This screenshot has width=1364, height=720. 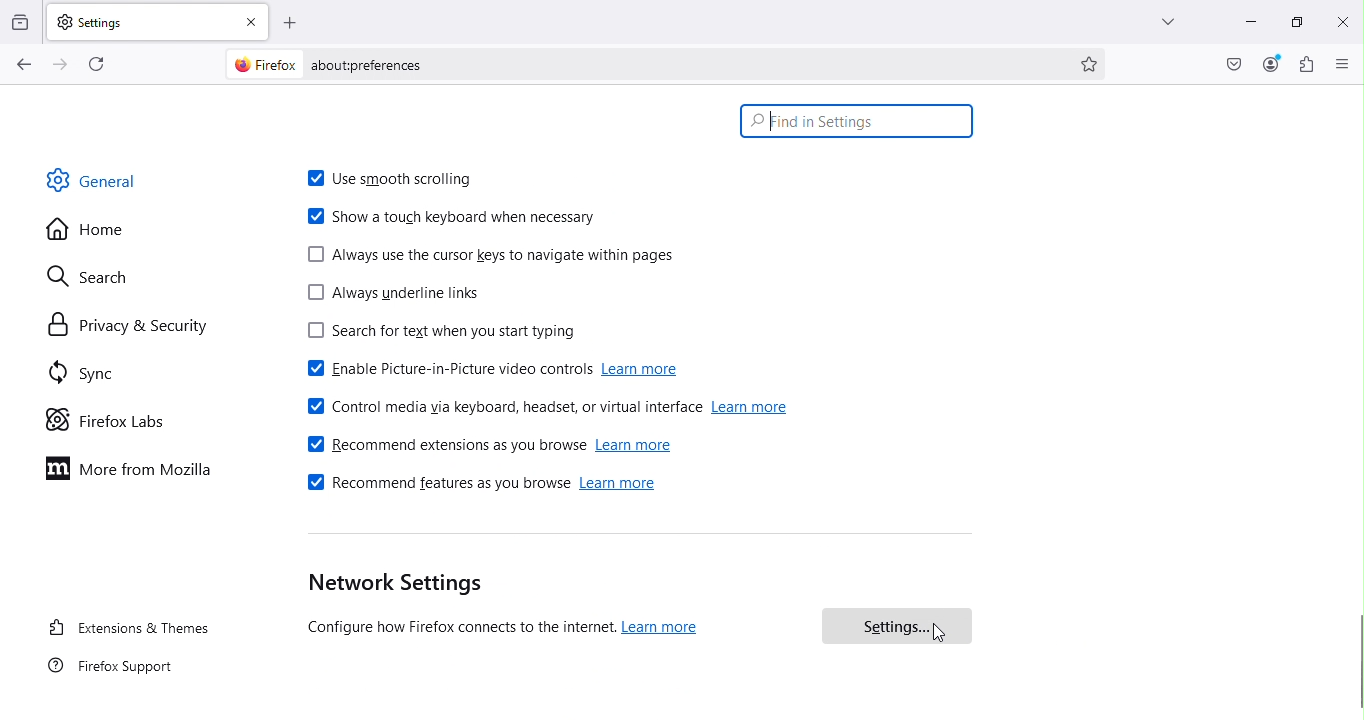 What do you see at coordinates (142, 21) in the screenshot?
I see `Settings` at bounding box center [142, 21].